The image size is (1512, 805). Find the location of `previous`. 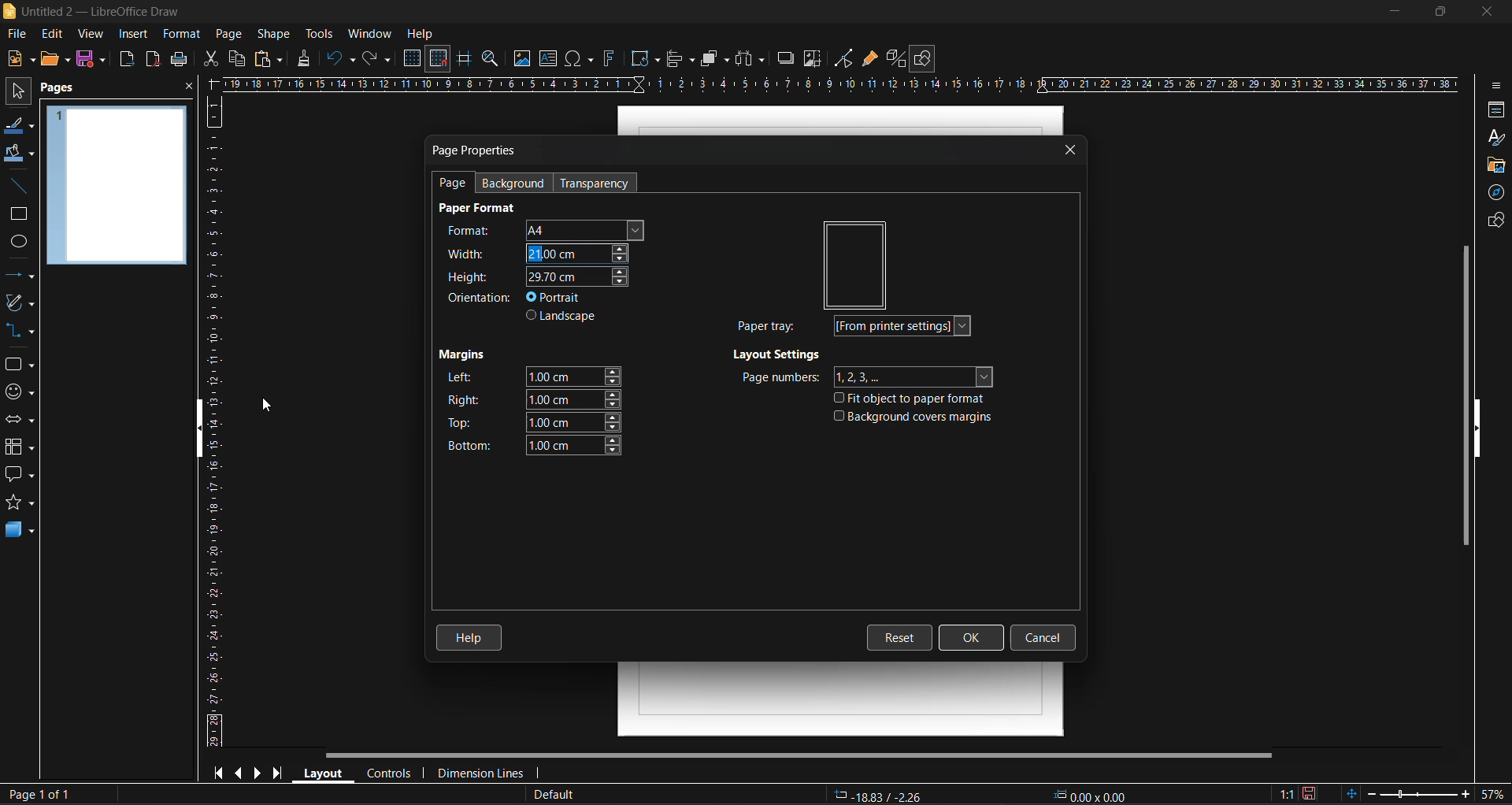

previous is located at coordinates (241, 772).